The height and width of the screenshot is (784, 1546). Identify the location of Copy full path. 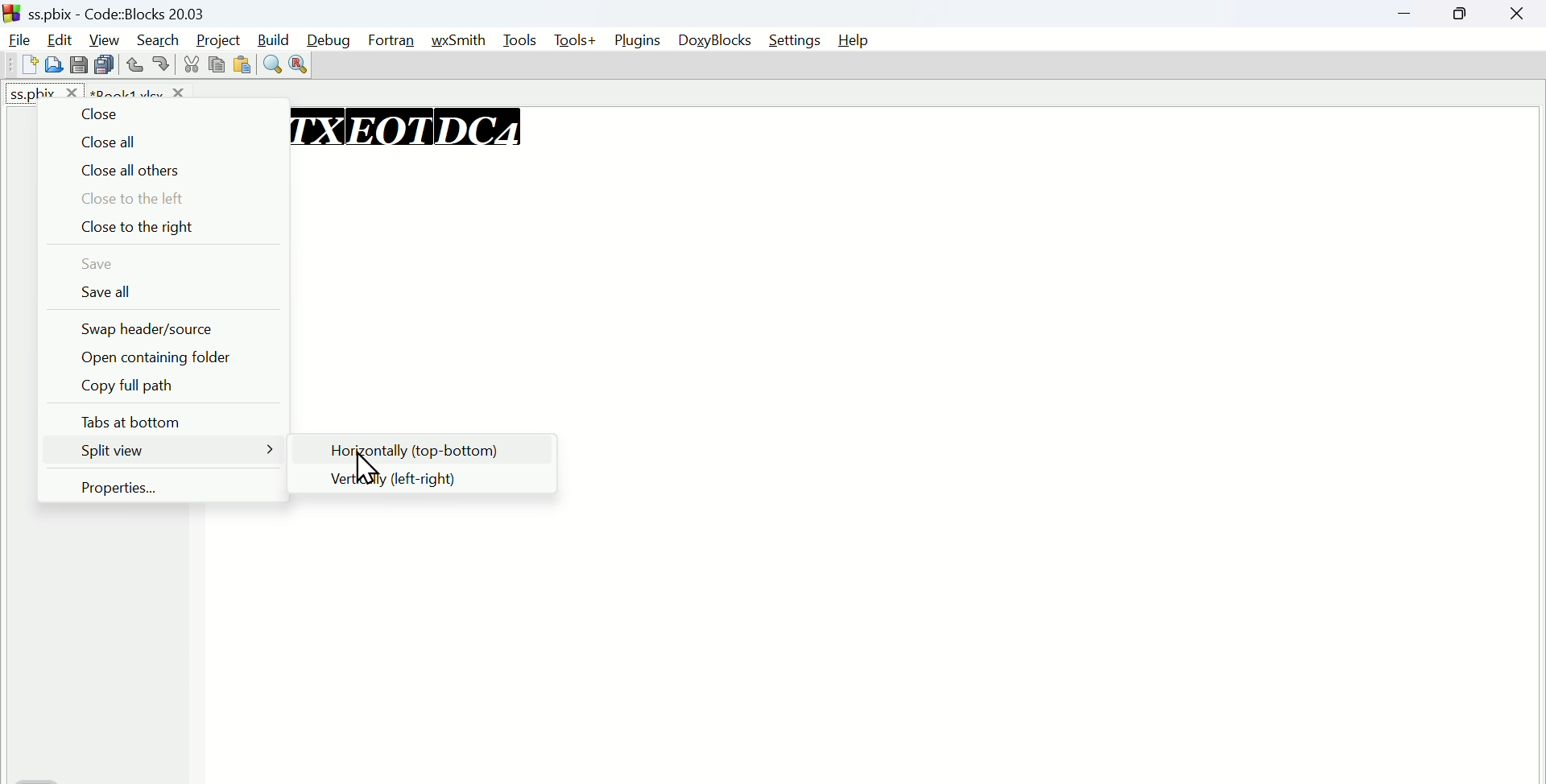
(162, 386).